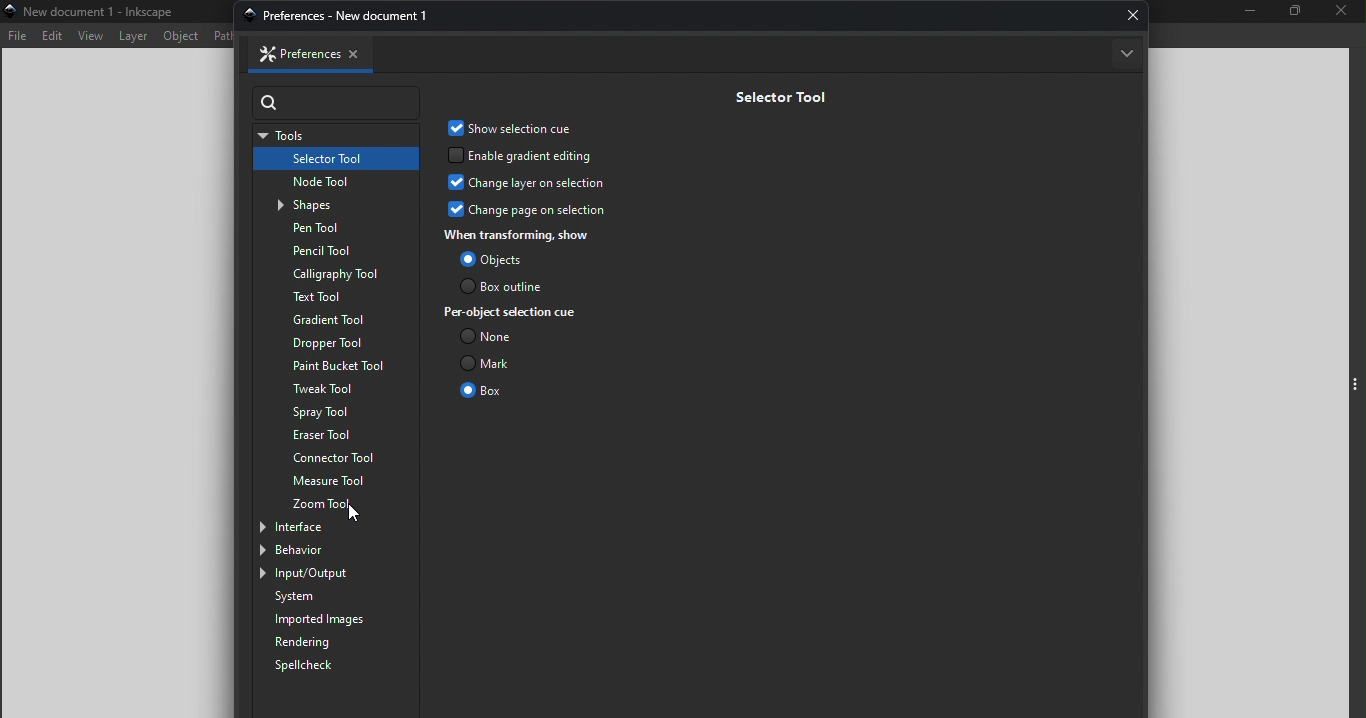 This screenshot has width=1366, height=718. What do you see at coordinates (18, 39) in the screenshot?
I see `File` at bounding box center [18, 39].